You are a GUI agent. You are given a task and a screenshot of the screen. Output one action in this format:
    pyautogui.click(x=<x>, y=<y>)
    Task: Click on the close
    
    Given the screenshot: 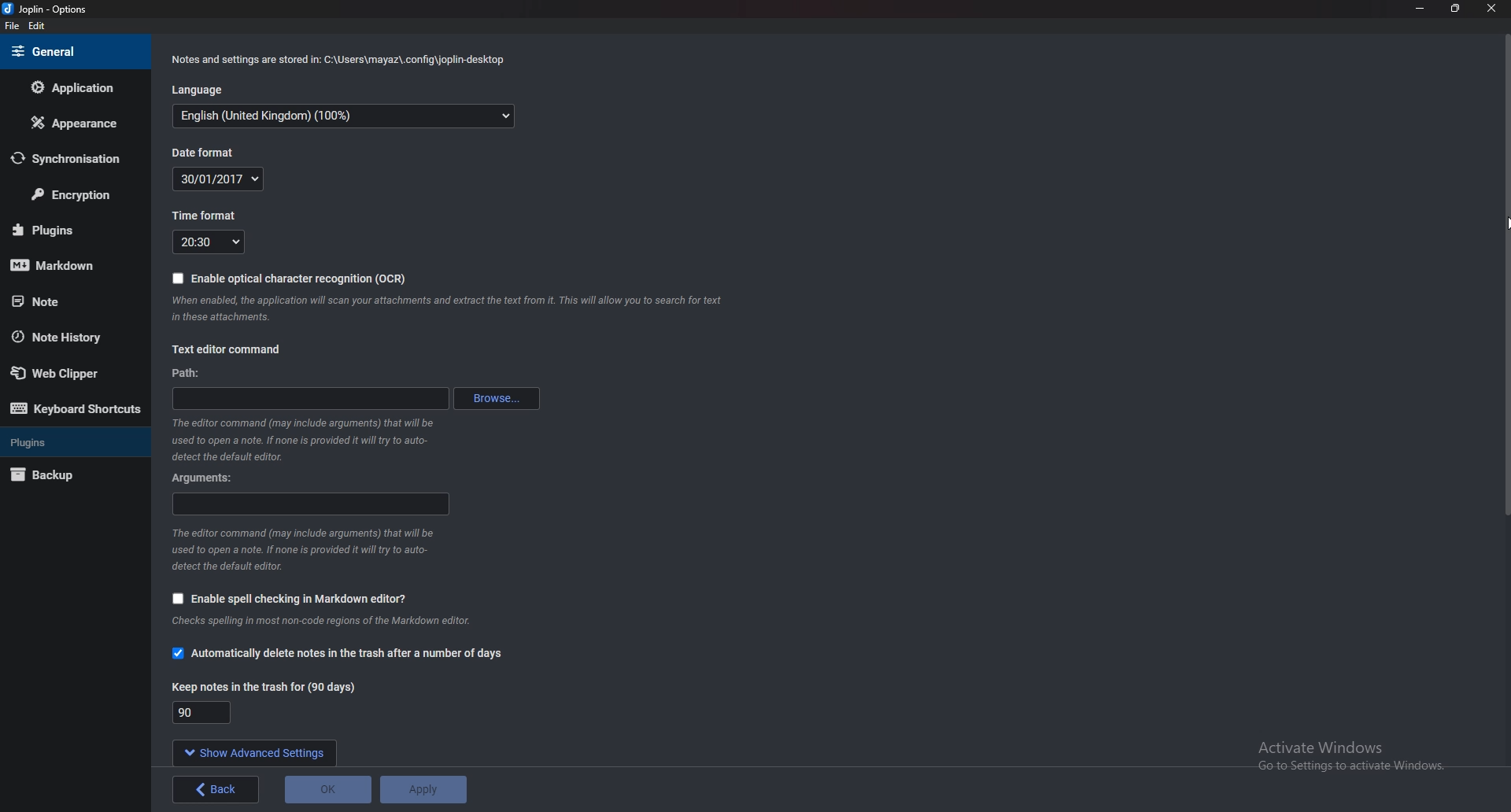 What is the action you would take?
    pyautogui.click(x=1489, y=8)
    